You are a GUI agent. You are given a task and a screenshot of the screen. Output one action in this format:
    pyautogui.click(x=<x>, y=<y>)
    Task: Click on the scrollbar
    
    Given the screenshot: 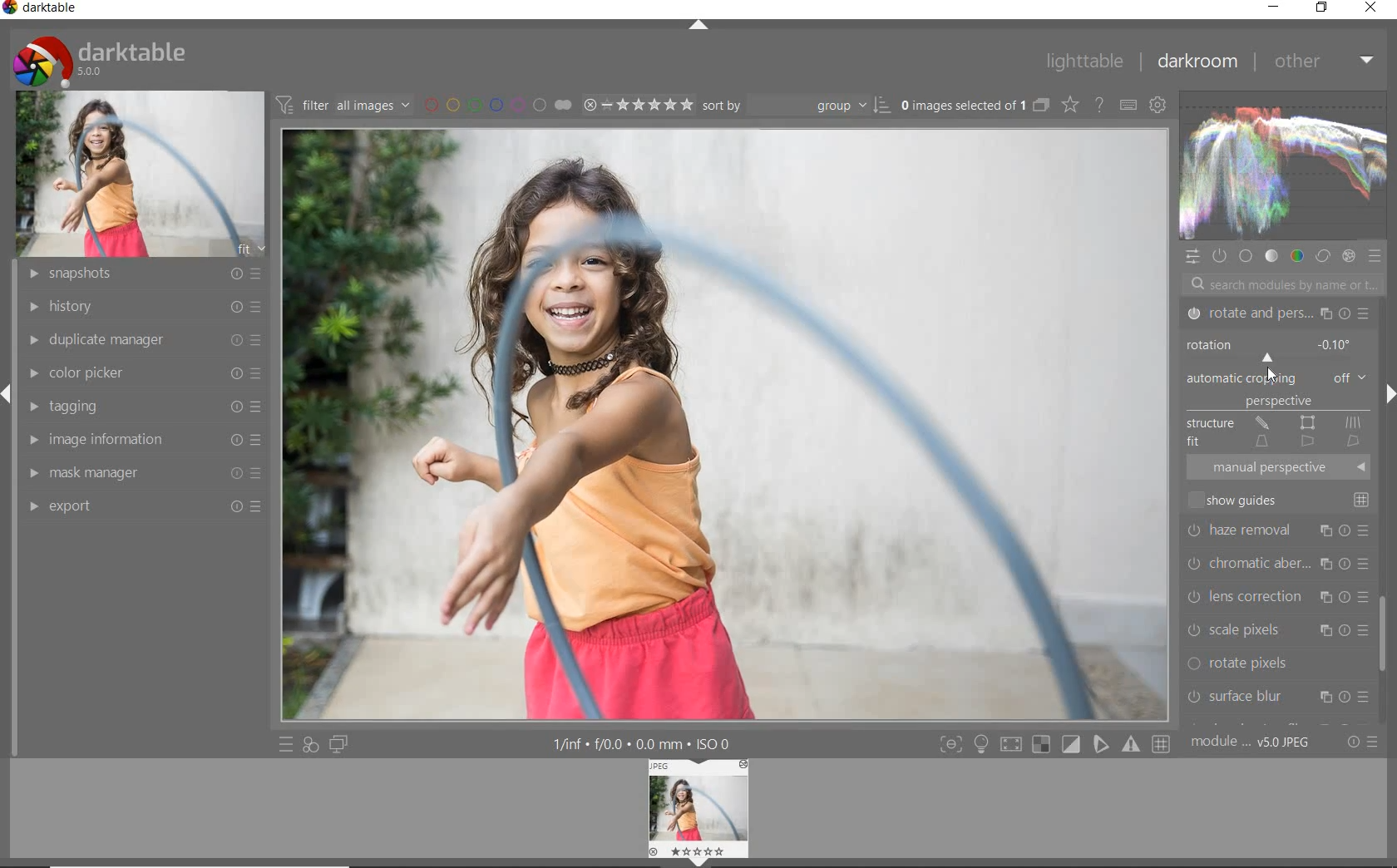 What is the action you would take?
    pyautogui.click(x=1385, y=625)
    